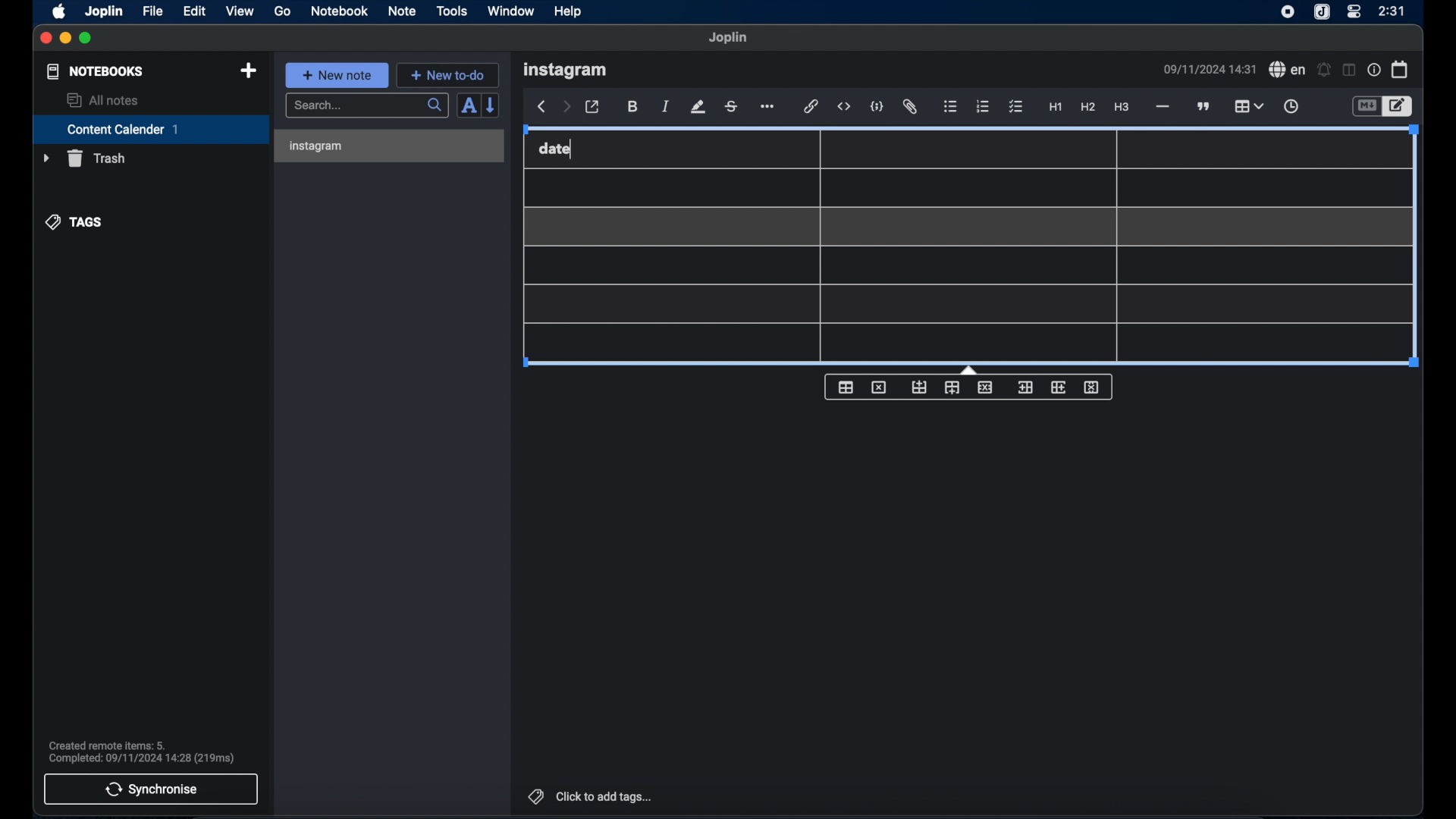 The height and width of the screenshot is (819, 1456). Describe the element at coordinates (1321, 12) in the screenshot. I see `joplin icon` at that location.